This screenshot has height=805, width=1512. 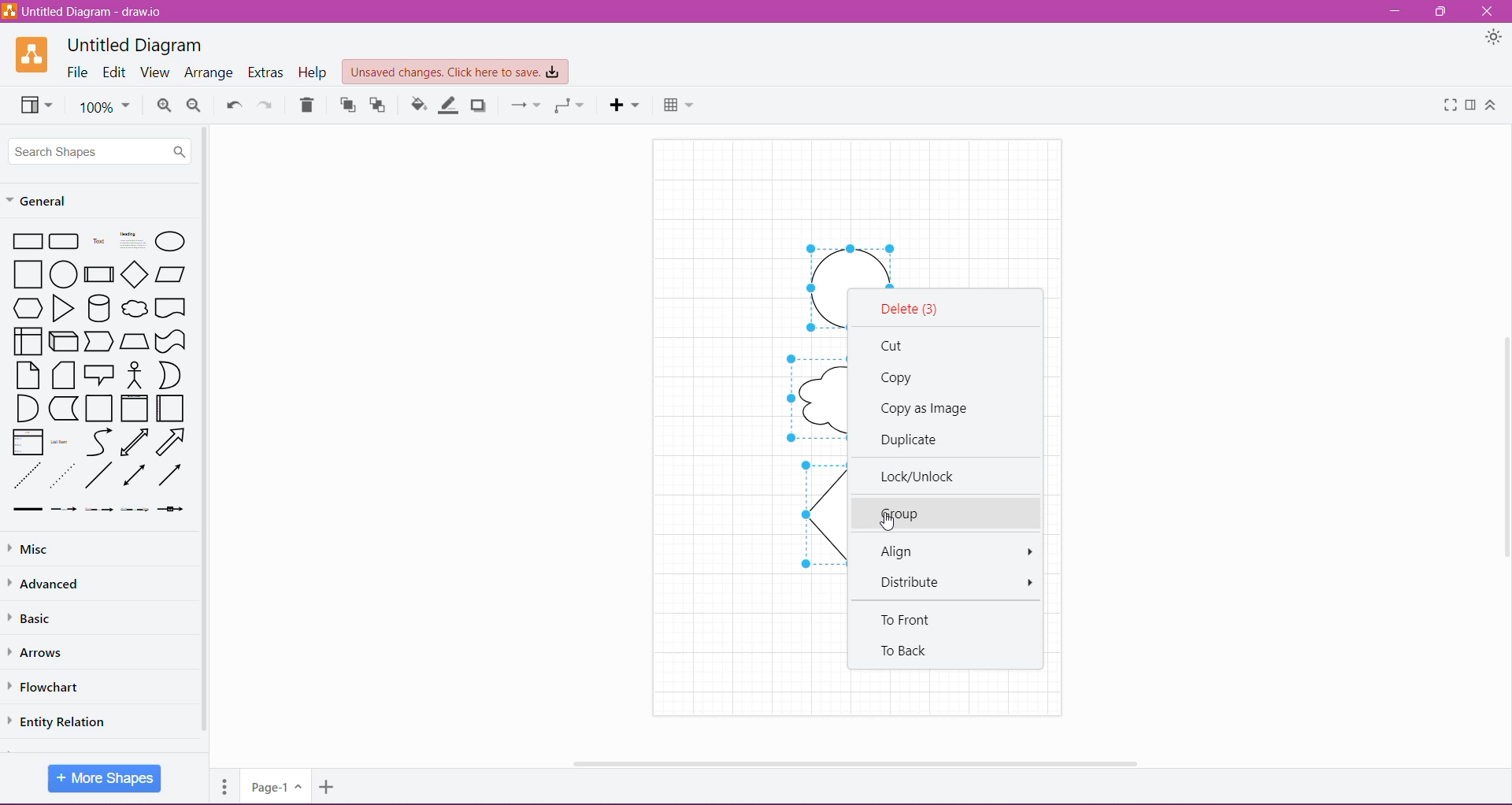 What do you see at coordinates (267, 72) in the screenshot?
I see `Extras` at bounding box center [267, 72].